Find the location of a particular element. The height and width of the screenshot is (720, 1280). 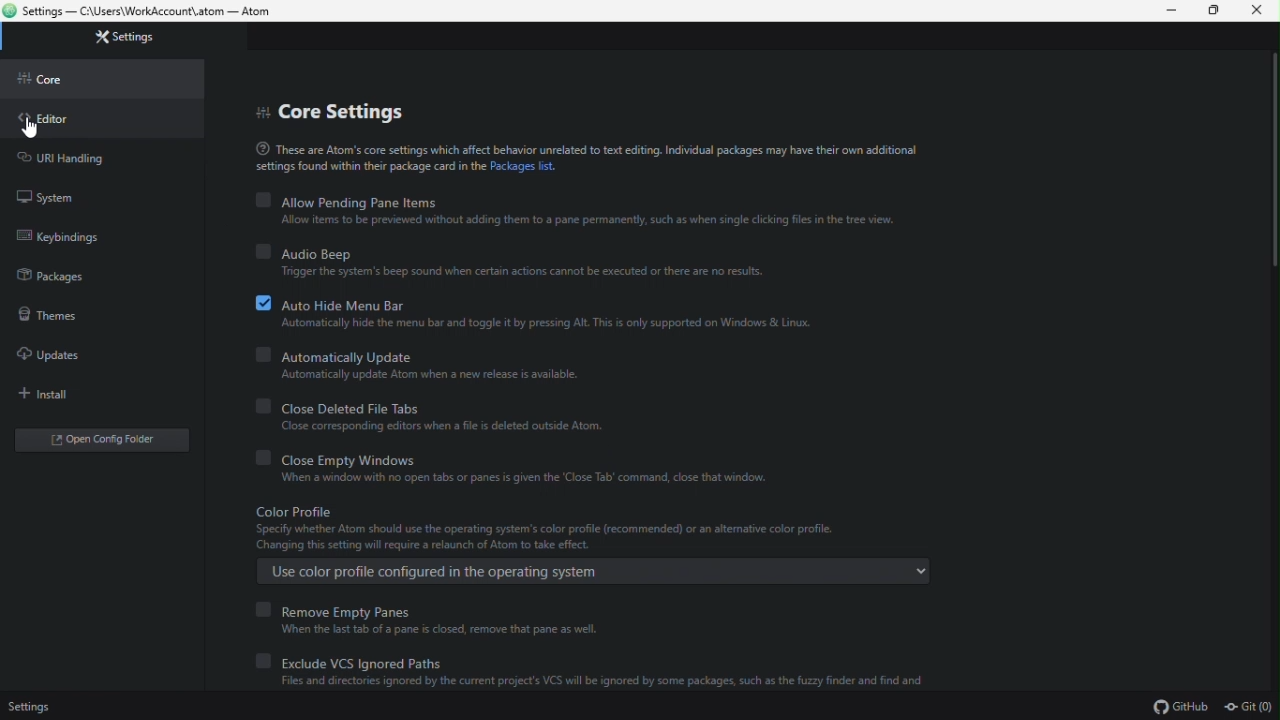

Audio beep is located at coordinates (526, 251).